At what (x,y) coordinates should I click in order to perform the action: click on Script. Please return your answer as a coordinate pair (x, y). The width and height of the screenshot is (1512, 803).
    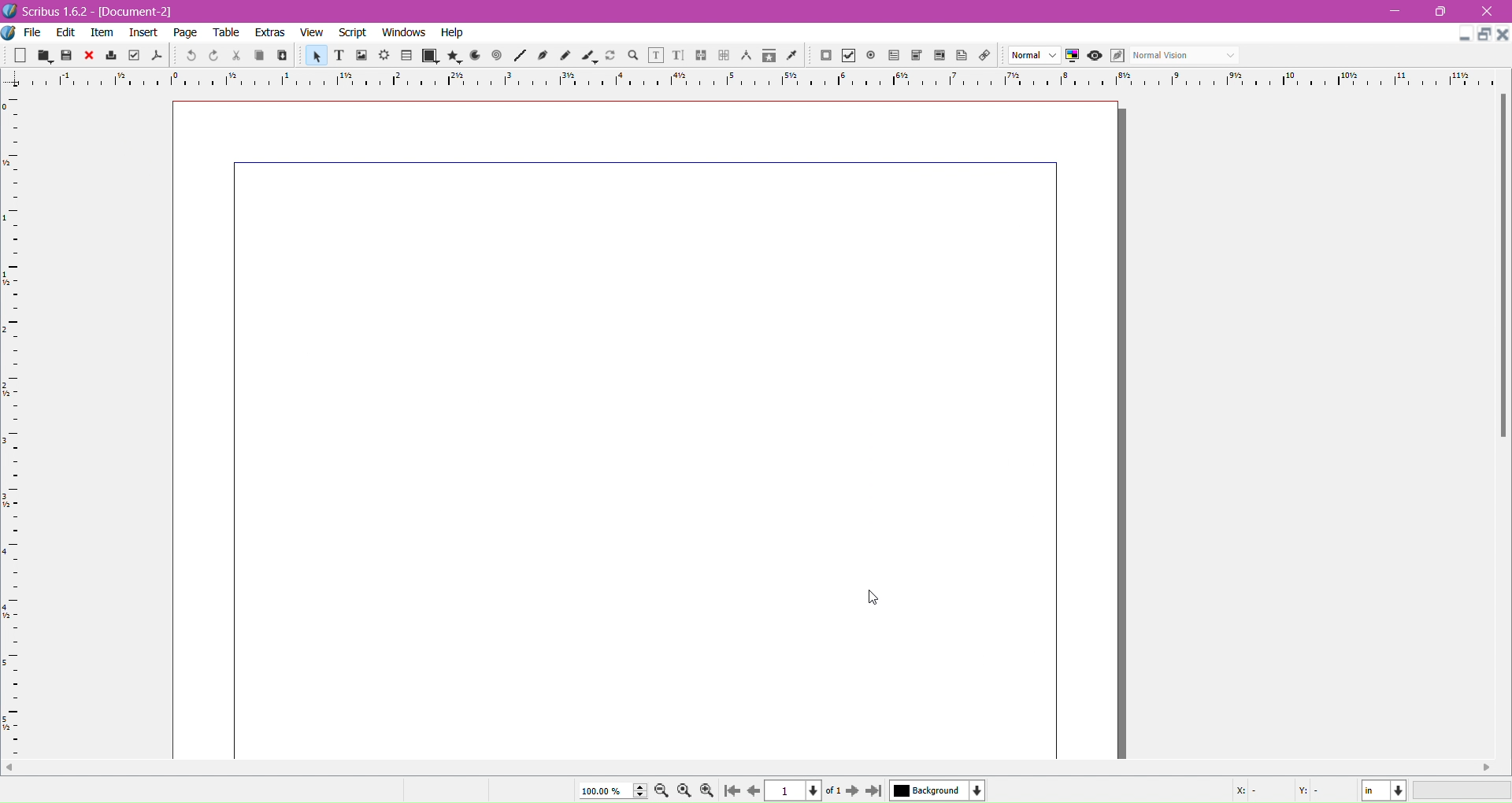
    Looking at the image, I should click on (350, 33).